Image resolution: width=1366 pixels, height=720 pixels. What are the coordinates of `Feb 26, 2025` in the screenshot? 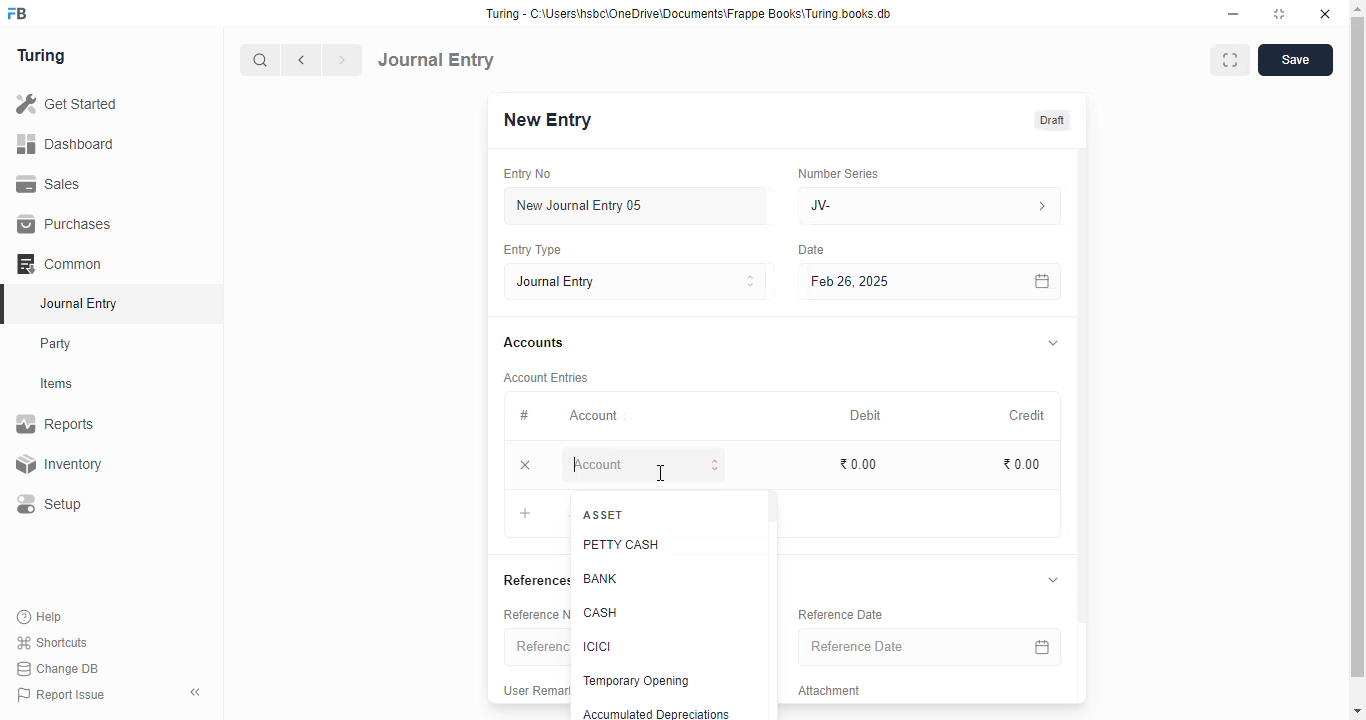 It's located at (885, 281).